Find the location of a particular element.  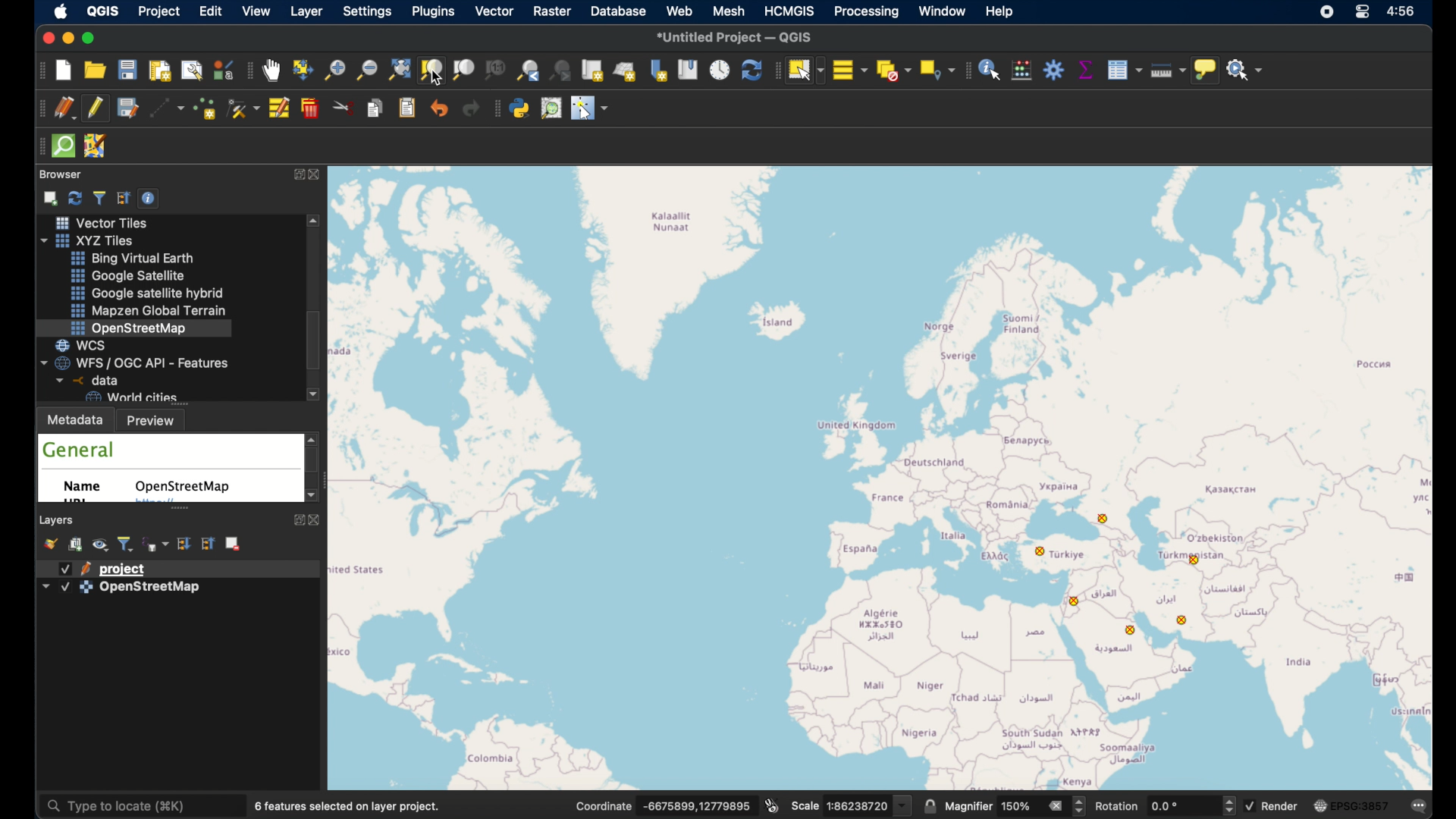

scroll box is located at coordinates (313, 463).